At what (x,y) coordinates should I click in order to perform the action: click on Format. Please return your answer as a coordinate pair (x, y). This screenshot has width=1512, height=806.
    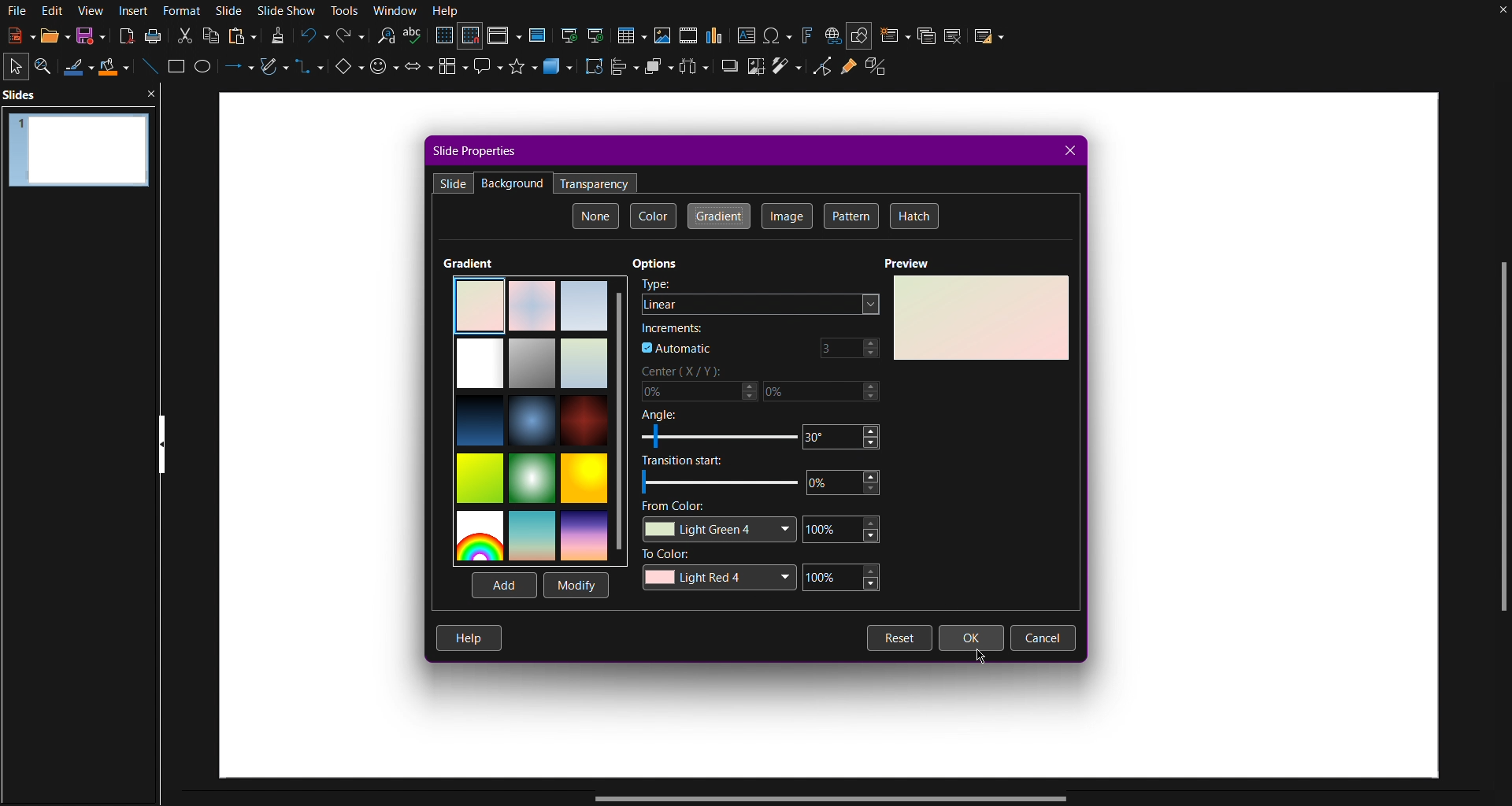
    Looking at the image, I should click on (186, 10).